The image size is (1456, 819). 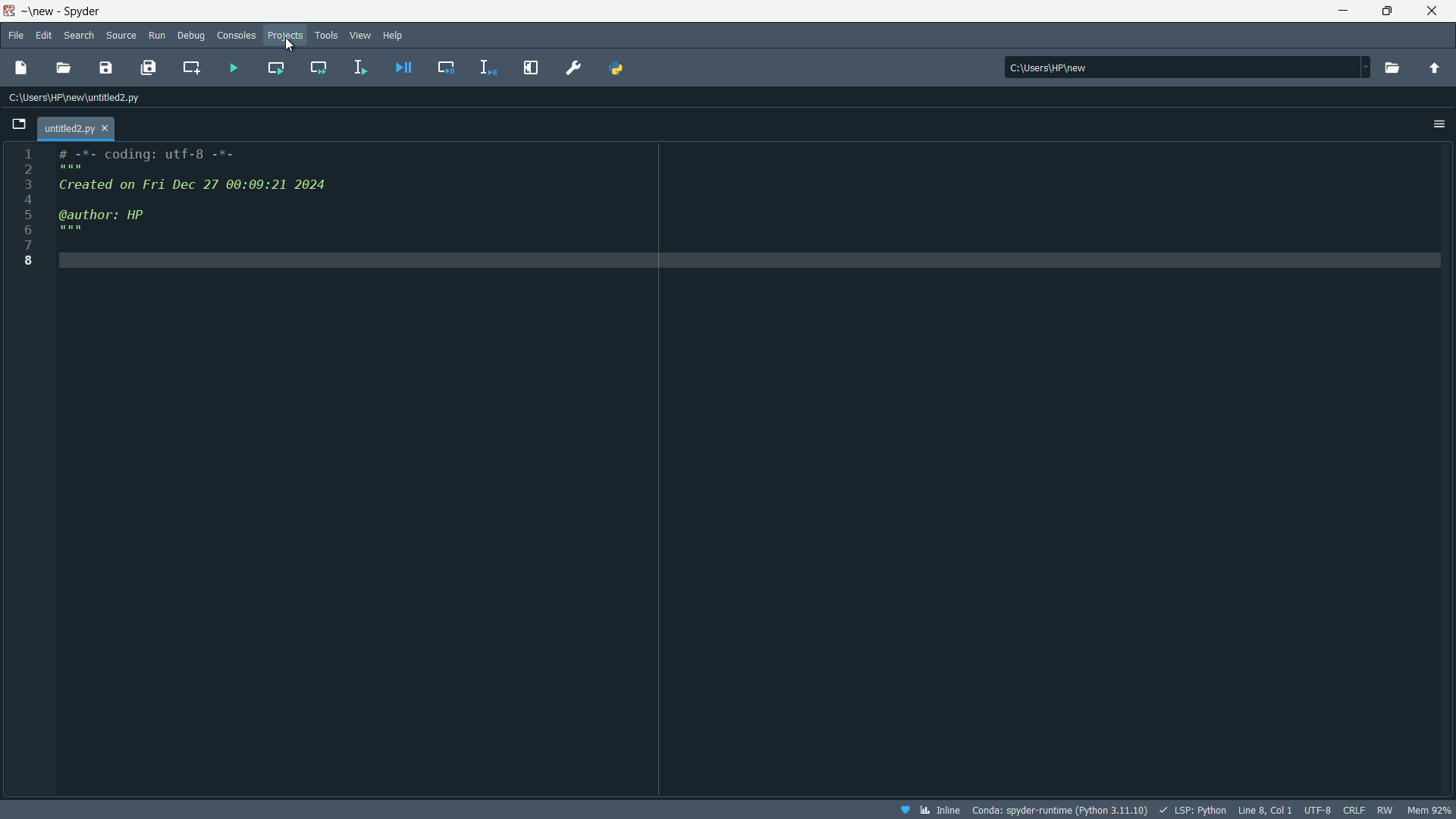 I want to click on python code, so click(x=748, y=203).